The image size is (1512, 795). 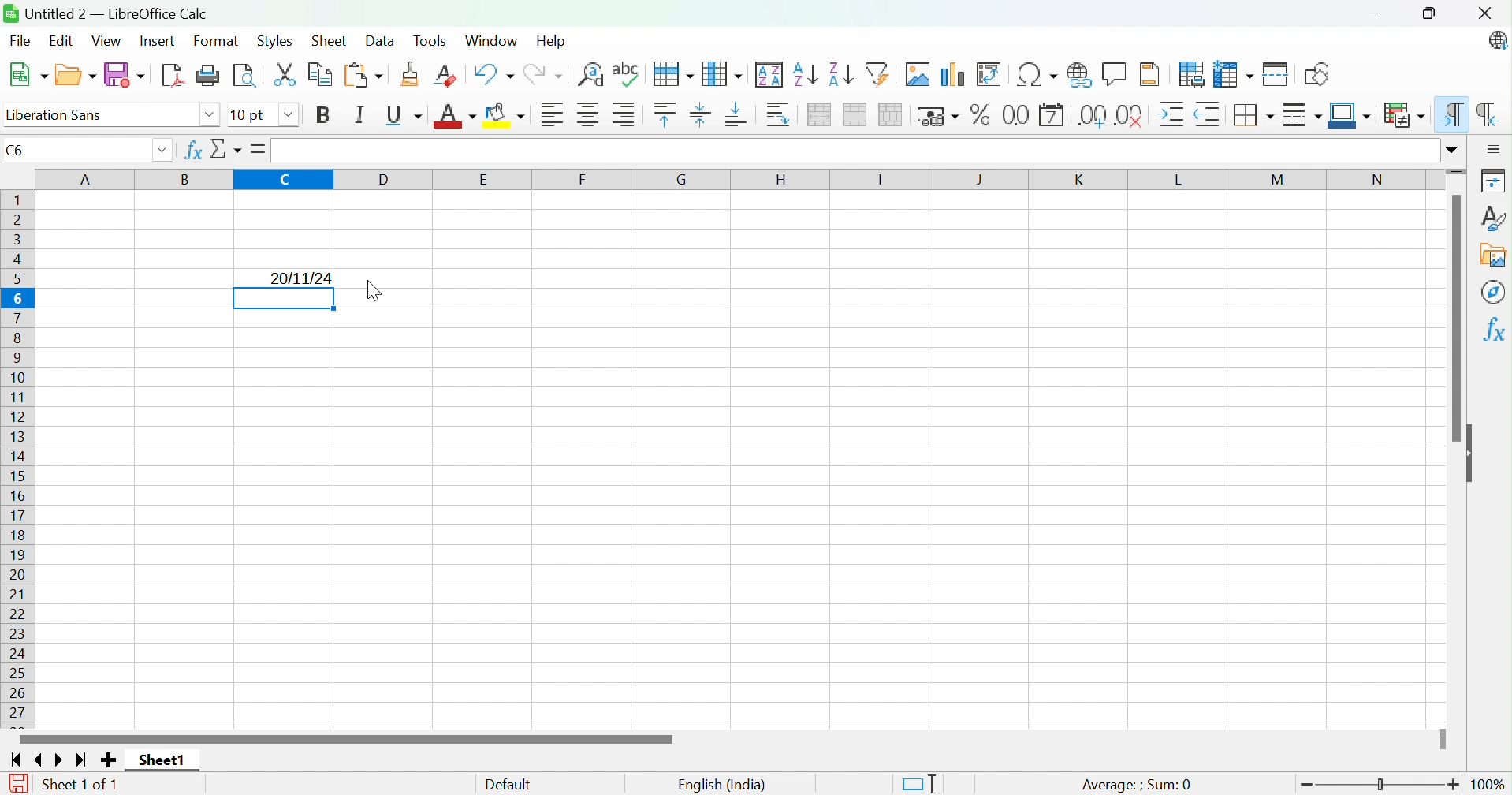 What do you see at coordinates (841, 74) in the screenshot?
I see `Sort descending` at bounding box center [841, 74].